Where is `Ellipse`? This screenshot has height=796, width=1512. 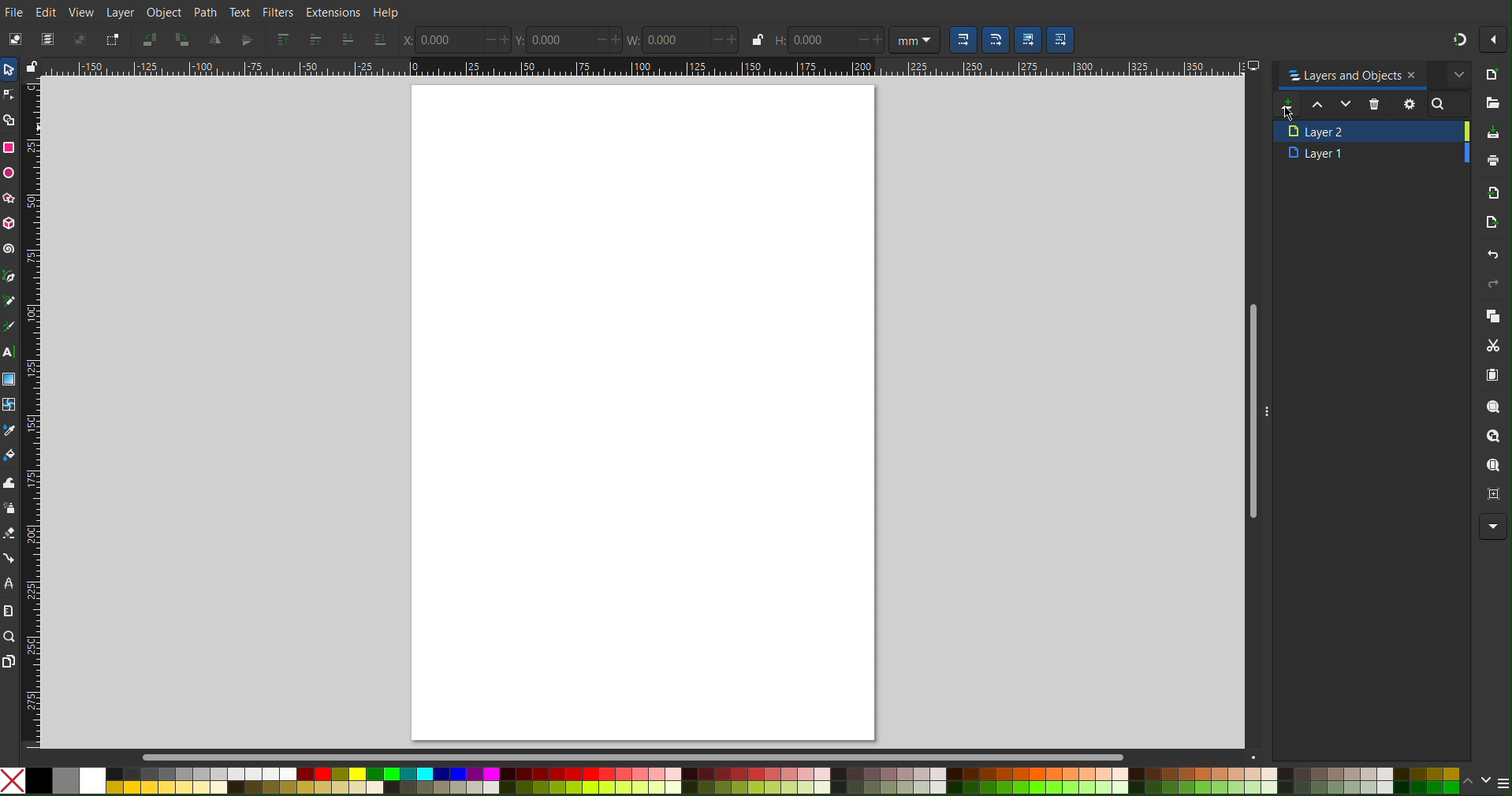
Ellipse is located at coordinates (13, 174).